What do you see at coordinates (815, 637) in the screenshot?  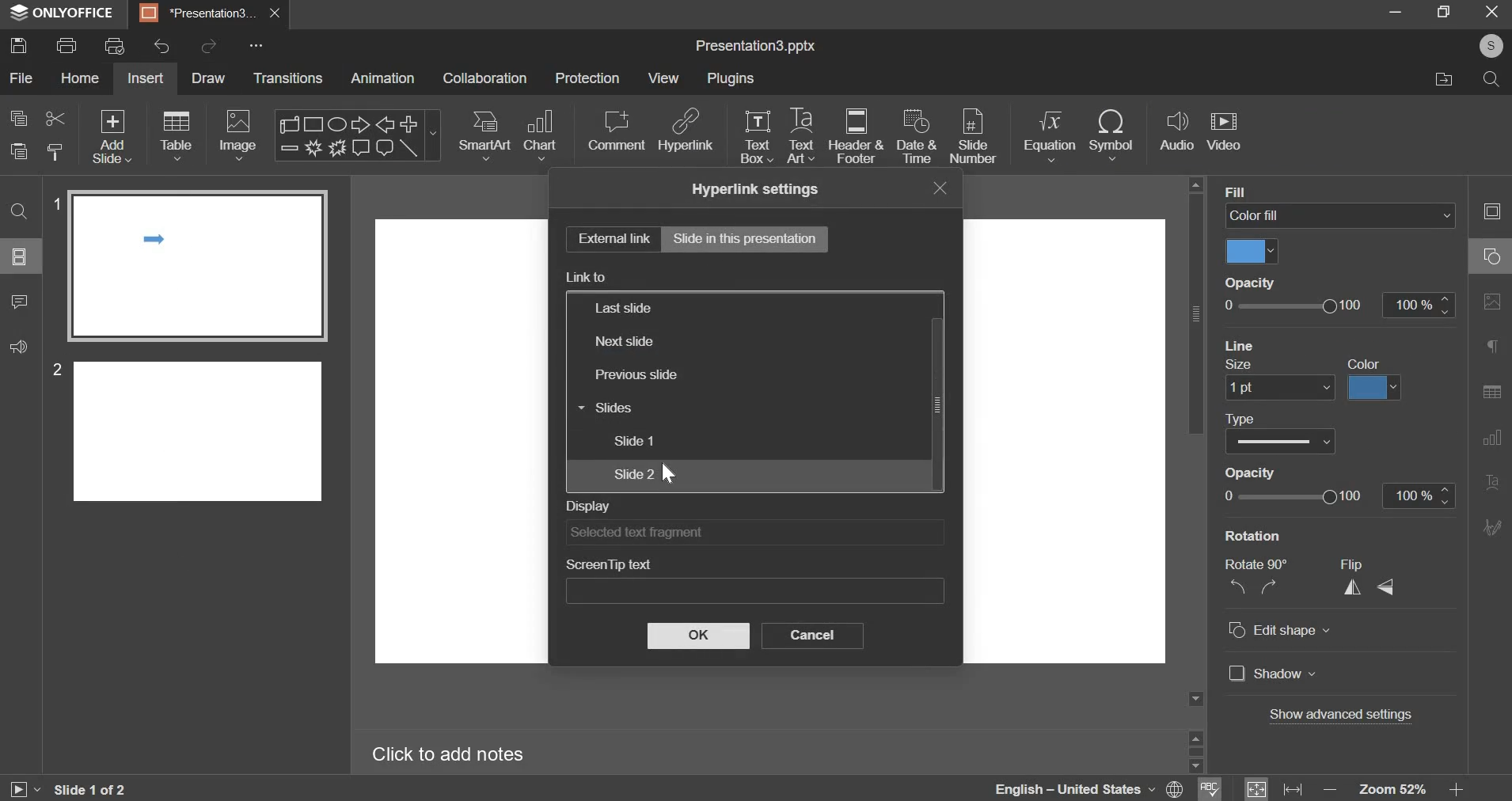 I see `Cancel` at bounding box center [815, 637].